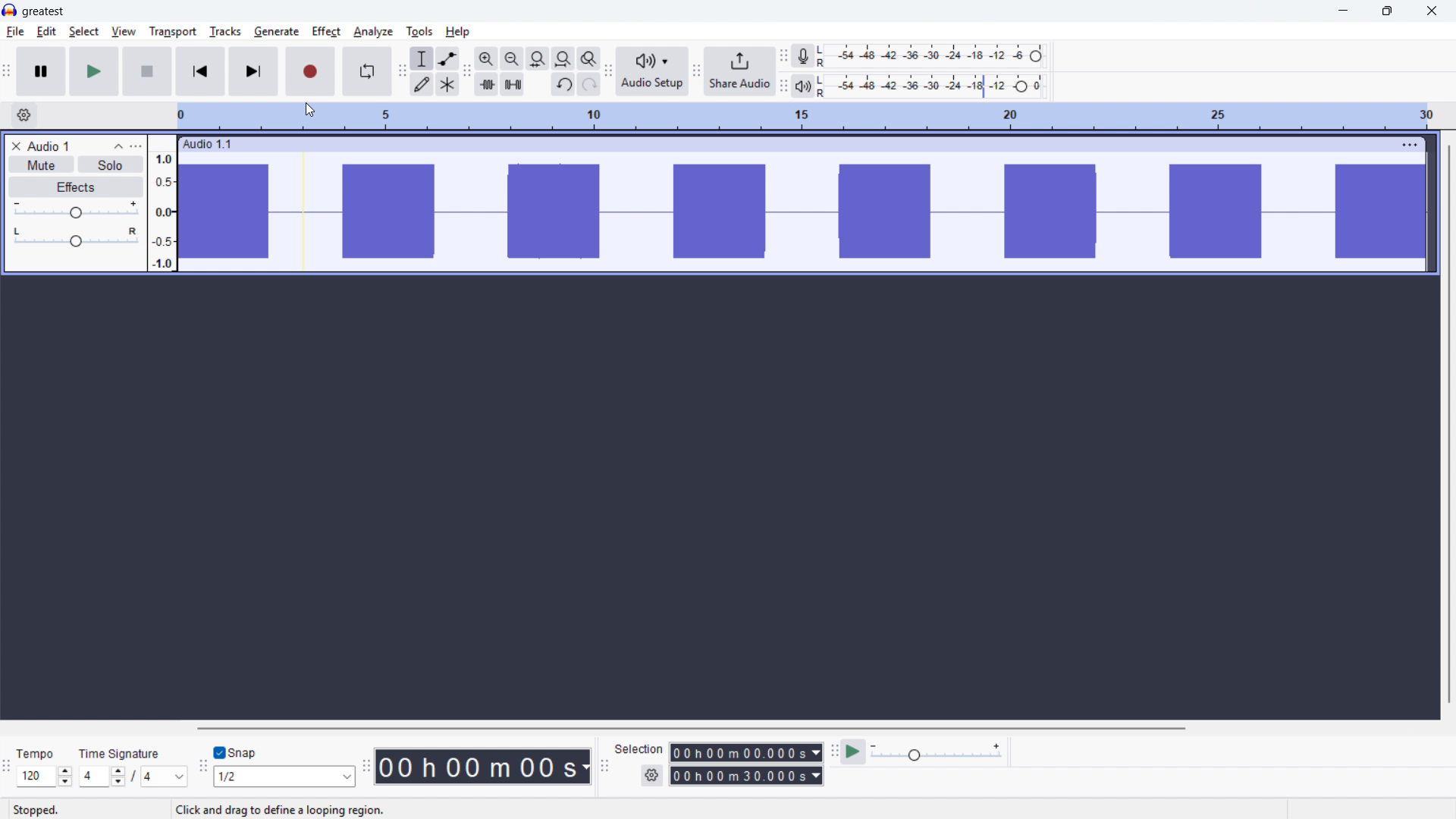  I want to click on Select snapping , so click(286, 776).